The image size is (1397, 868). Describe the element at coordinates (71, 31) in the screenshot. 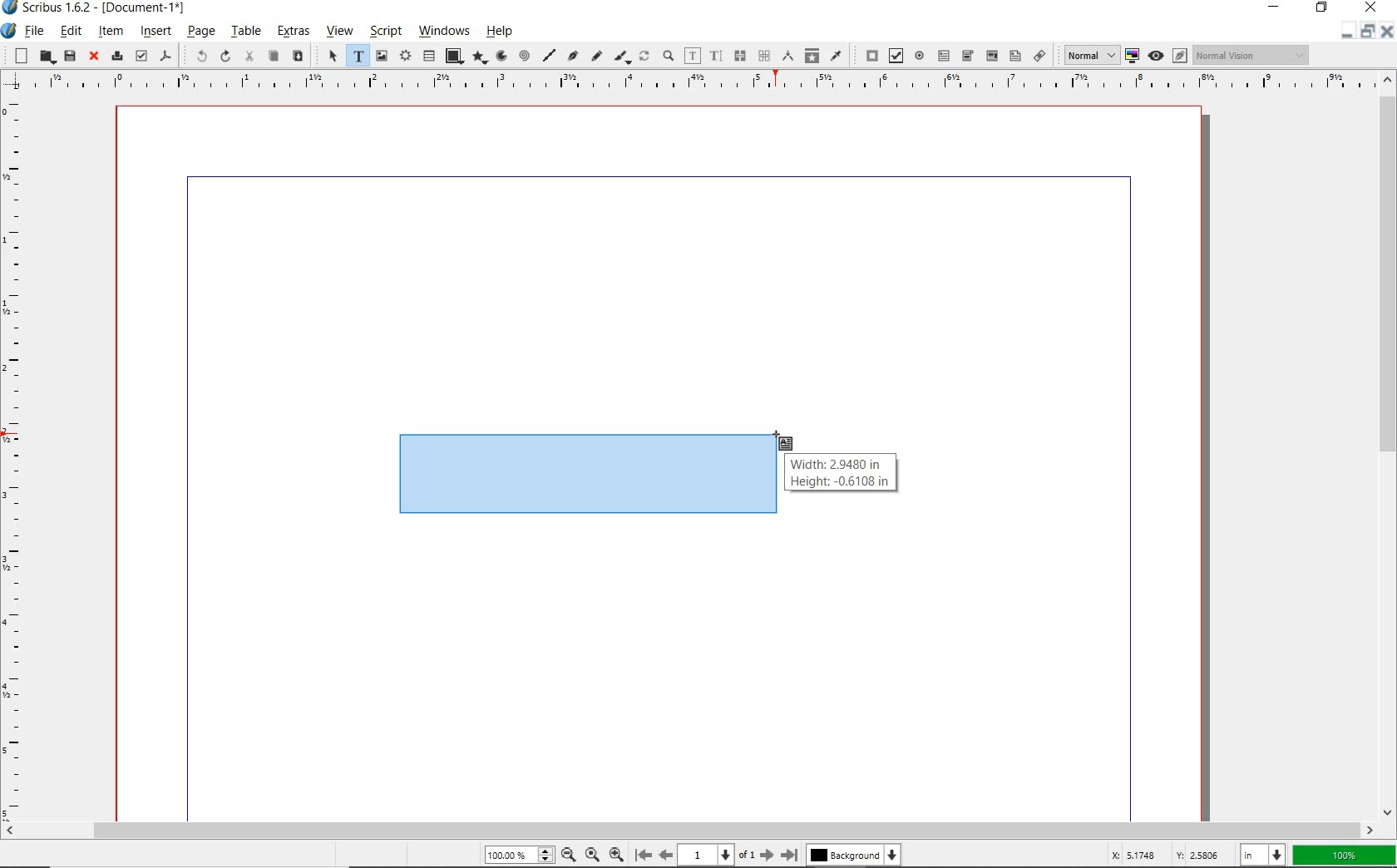

I see `edit` at that location.